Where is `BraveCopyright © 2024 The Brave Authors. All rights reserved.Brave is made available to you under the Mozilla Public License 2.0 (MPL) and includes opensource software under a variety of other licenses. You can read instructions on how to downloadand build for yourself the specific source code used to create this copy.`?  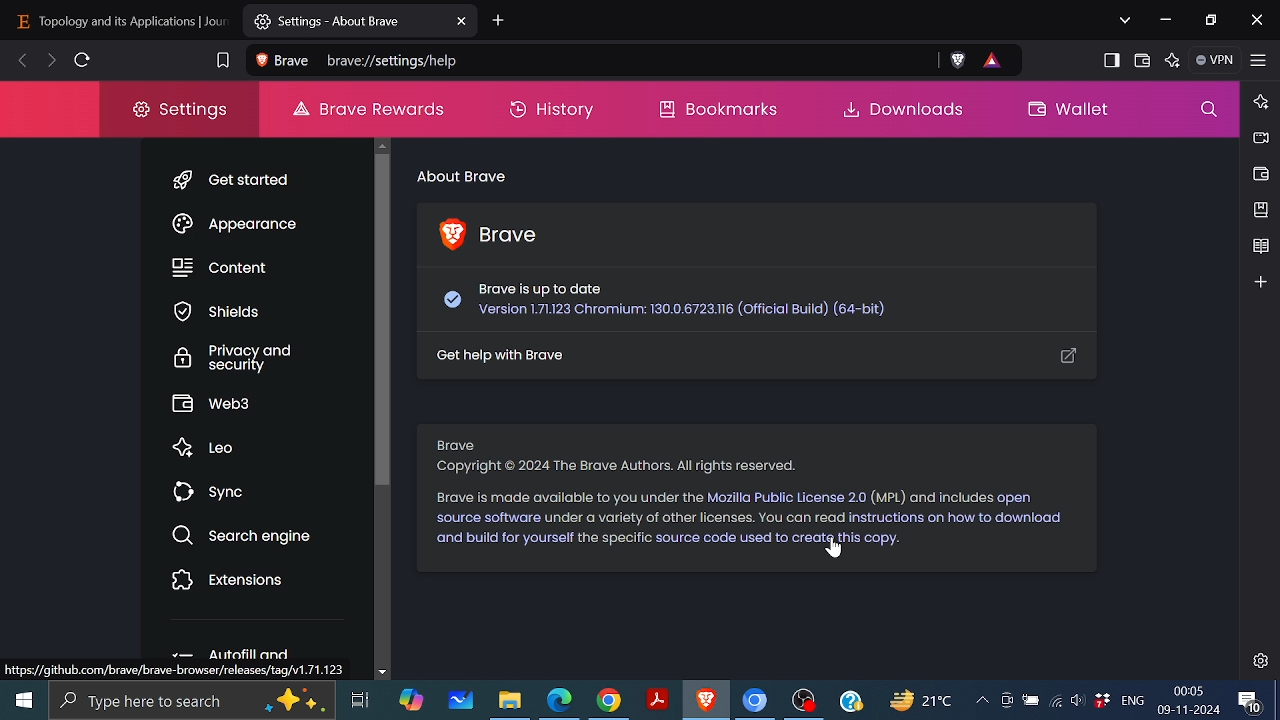
BraveCopyright © 2024 The Brave Authors. All rights reserved.Brave is made available to you under the Mozilla Public License 2.0 (MPL) and includes opensource software under a variety of other licenses. You can read instructions on how to downloadand build for yourself the specific source code used to create this copy. is located at coordinates (748, 487).